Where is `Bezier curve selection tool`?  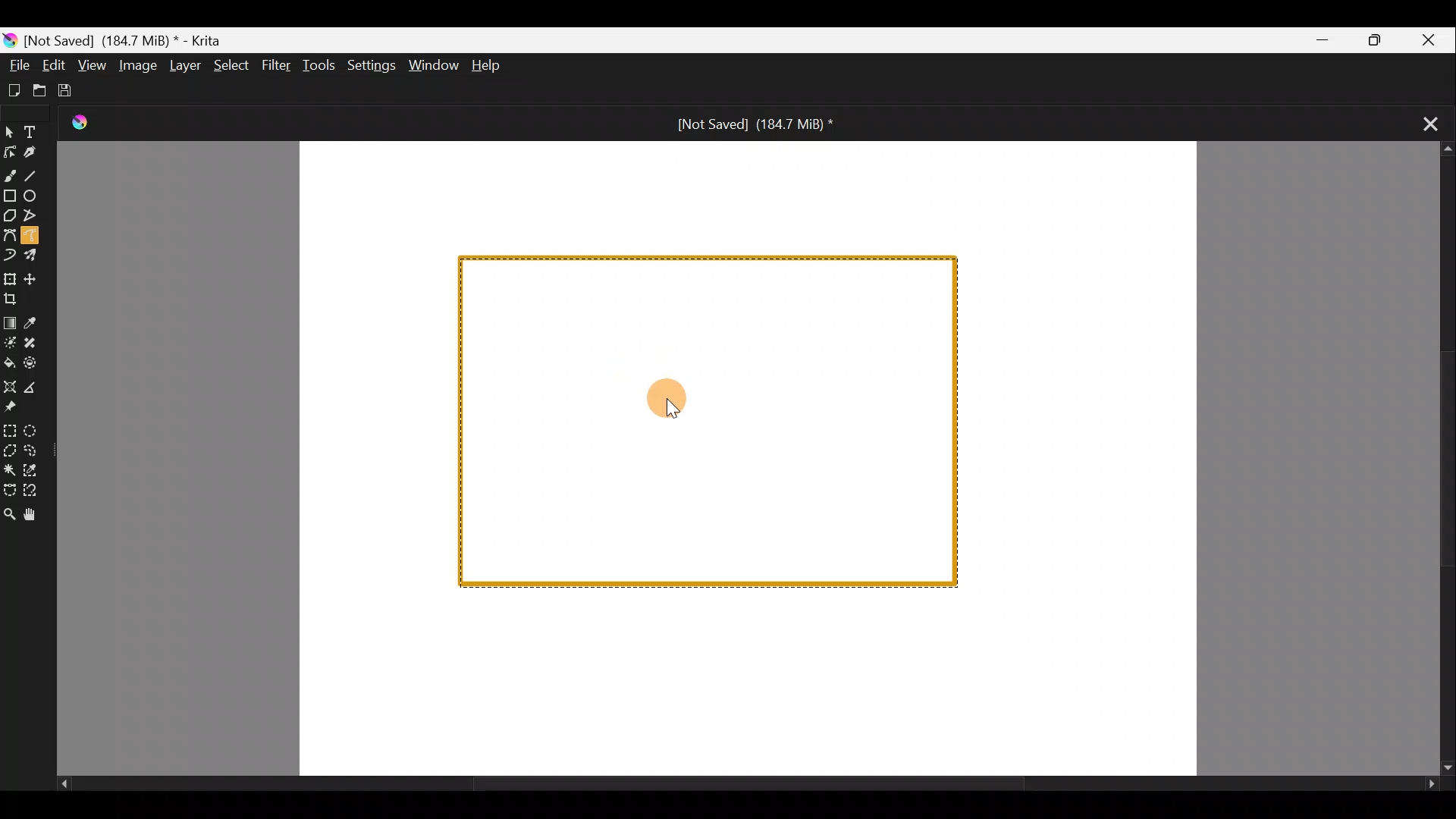 Bezier curve selection tool is located at coordinates (9, 491).